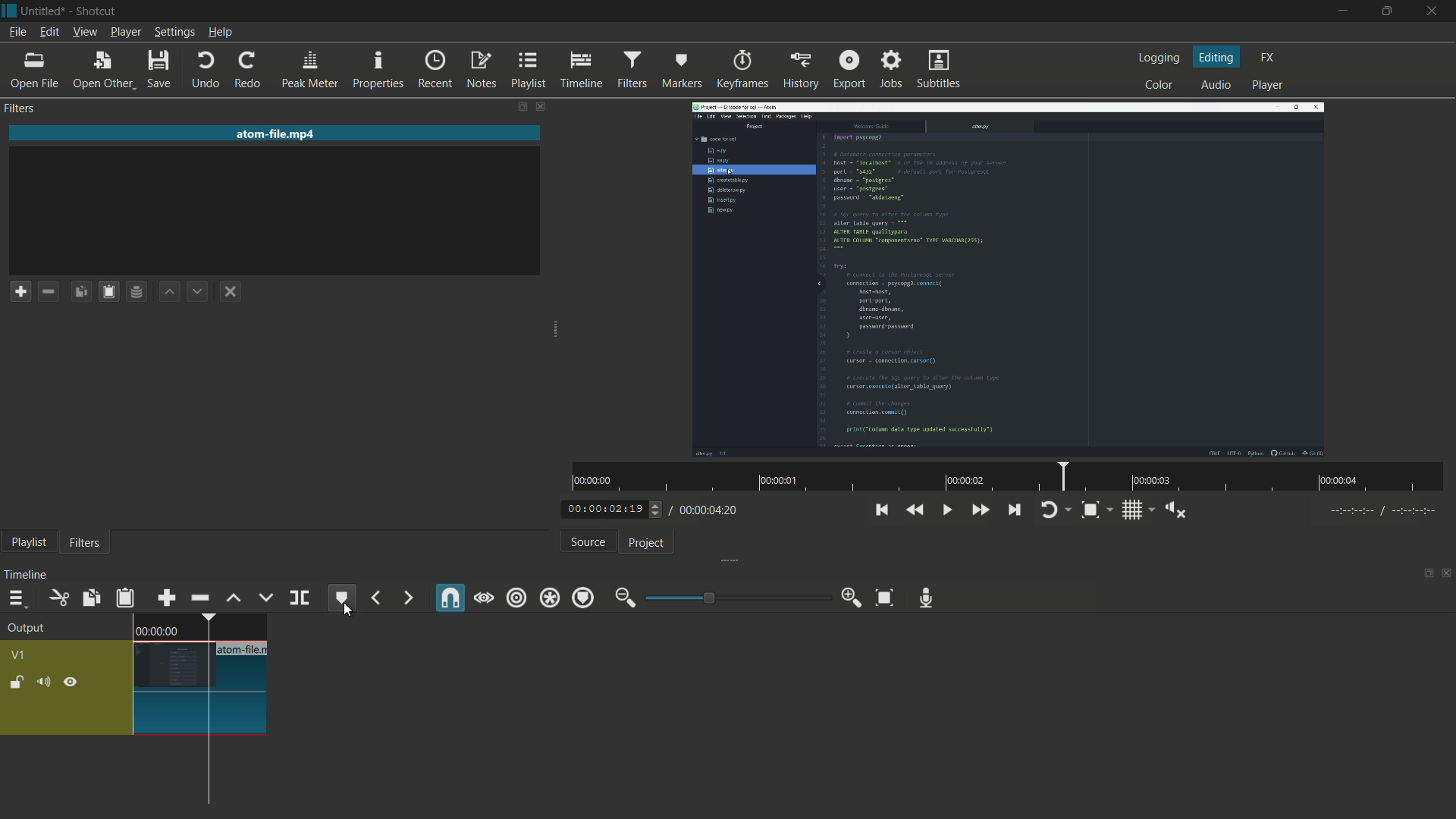 The height and width of the screenshot is (819, 1456). I want to click on project name, so click(44, 11).